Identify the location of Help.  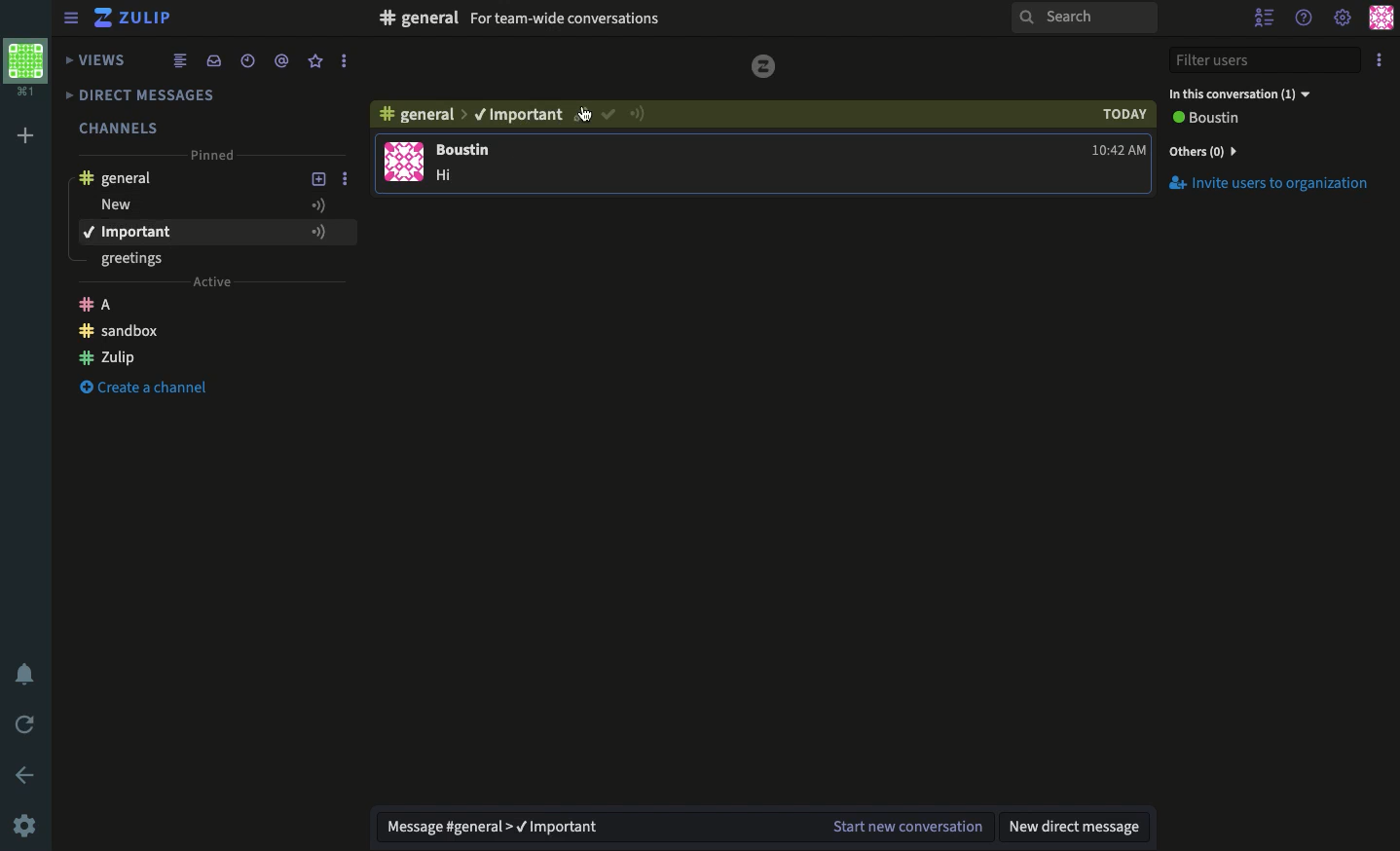
(1306, 19).